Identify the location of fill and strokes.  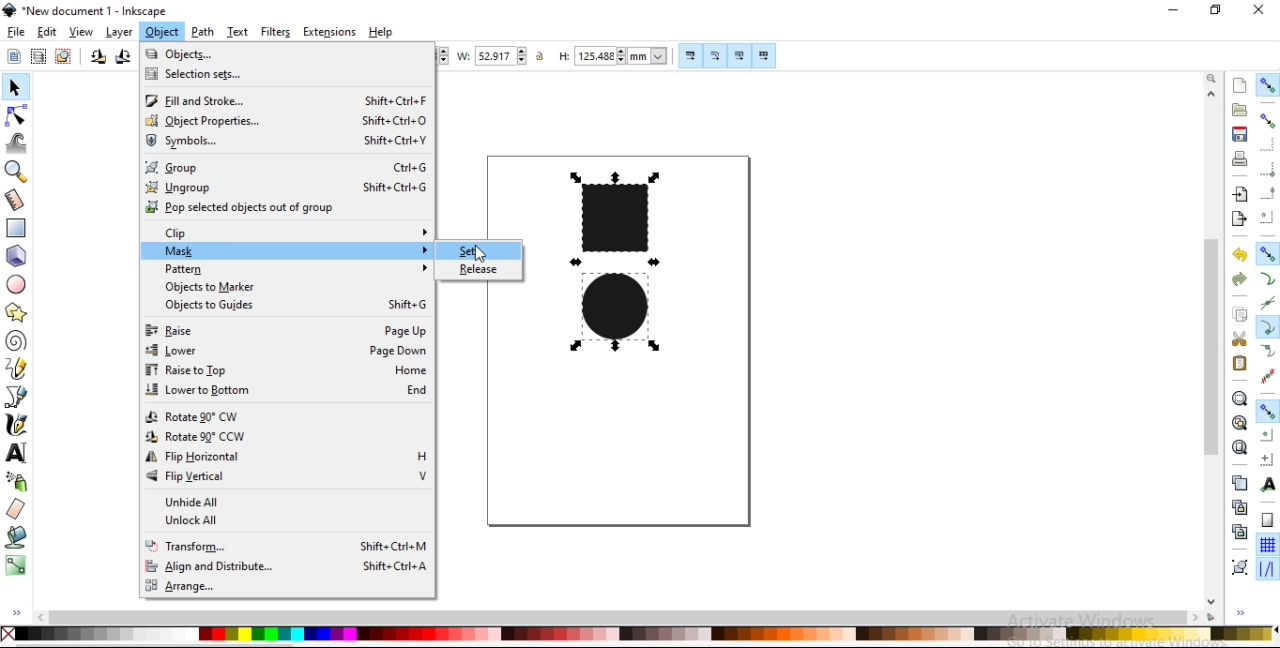
(286, 102).